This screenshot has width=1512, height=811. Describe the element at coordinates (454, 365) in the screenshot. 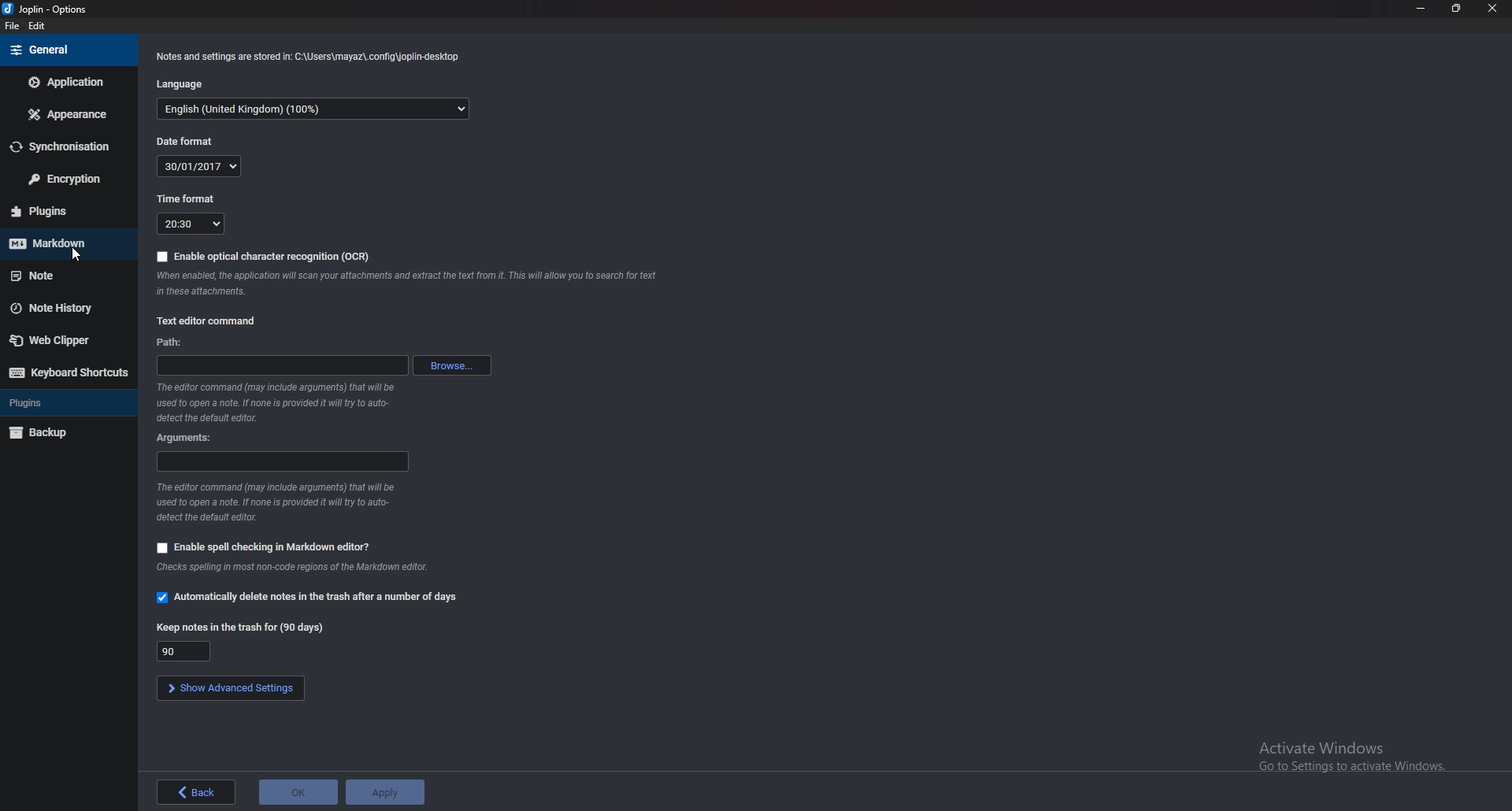

I see `browse` at that location.